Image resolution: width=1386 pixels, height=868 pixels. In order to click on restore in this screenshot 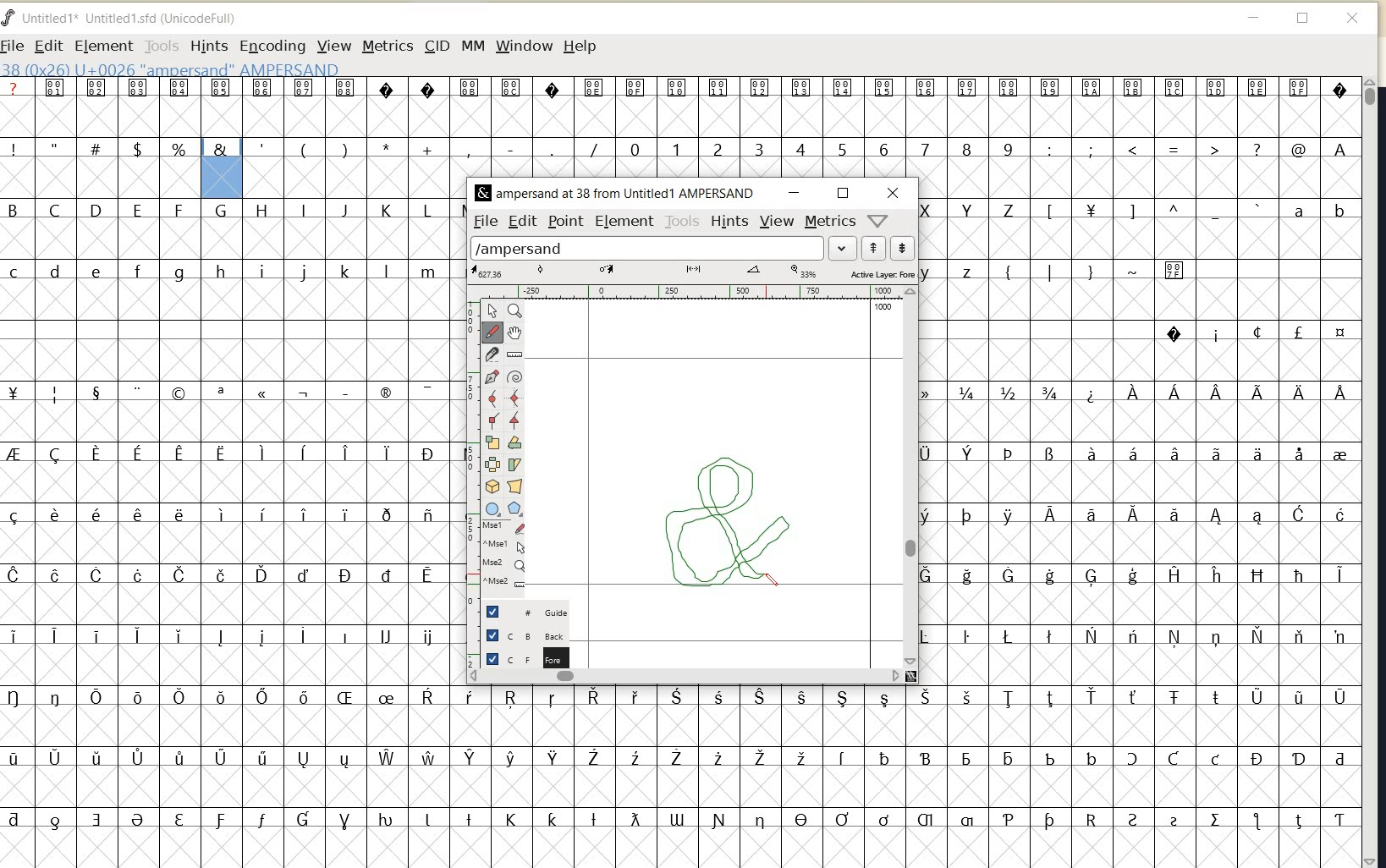, I will do `click(1302, 19)`.